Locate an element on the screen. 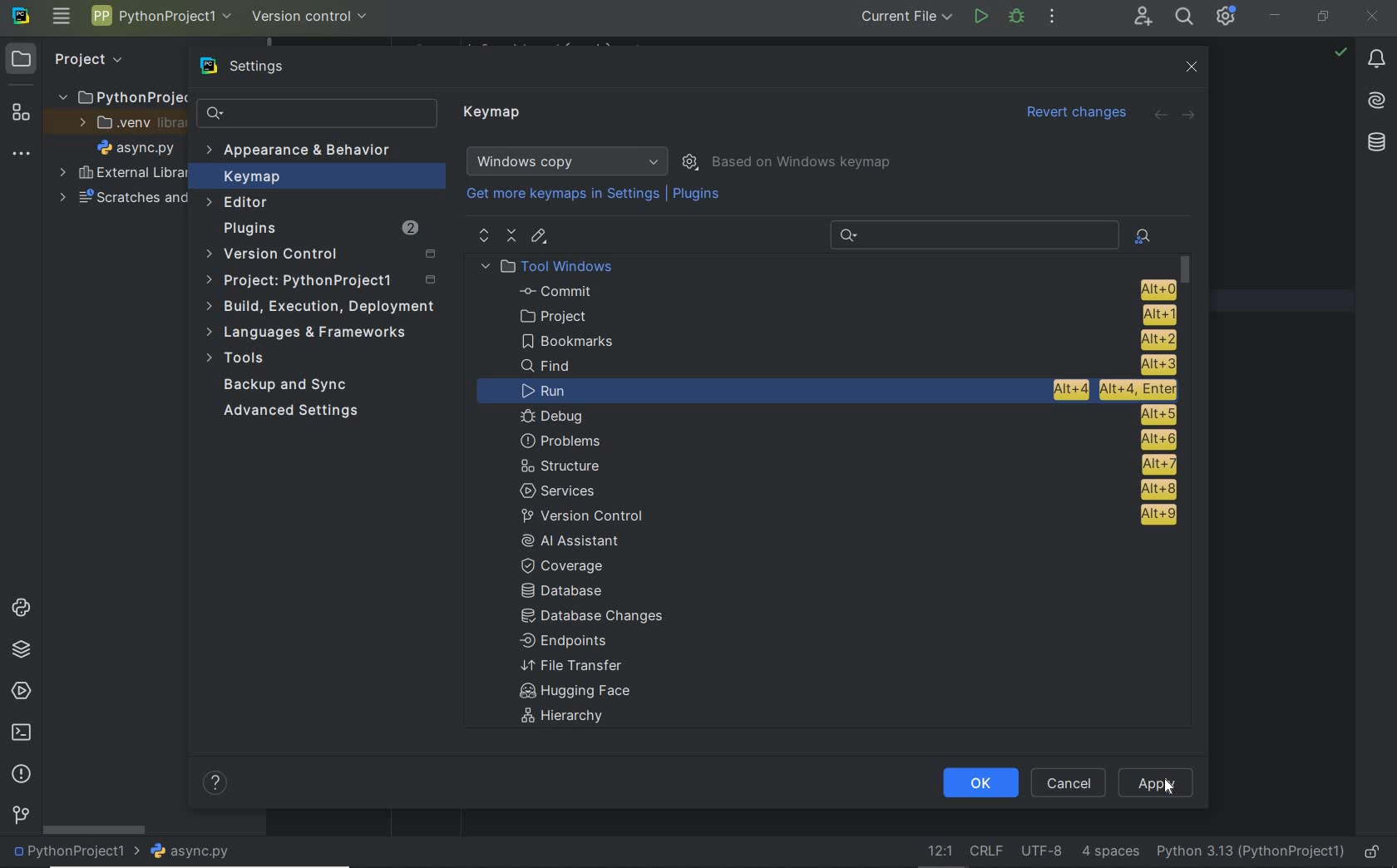  Version Control is located at coordinates (320, 255).